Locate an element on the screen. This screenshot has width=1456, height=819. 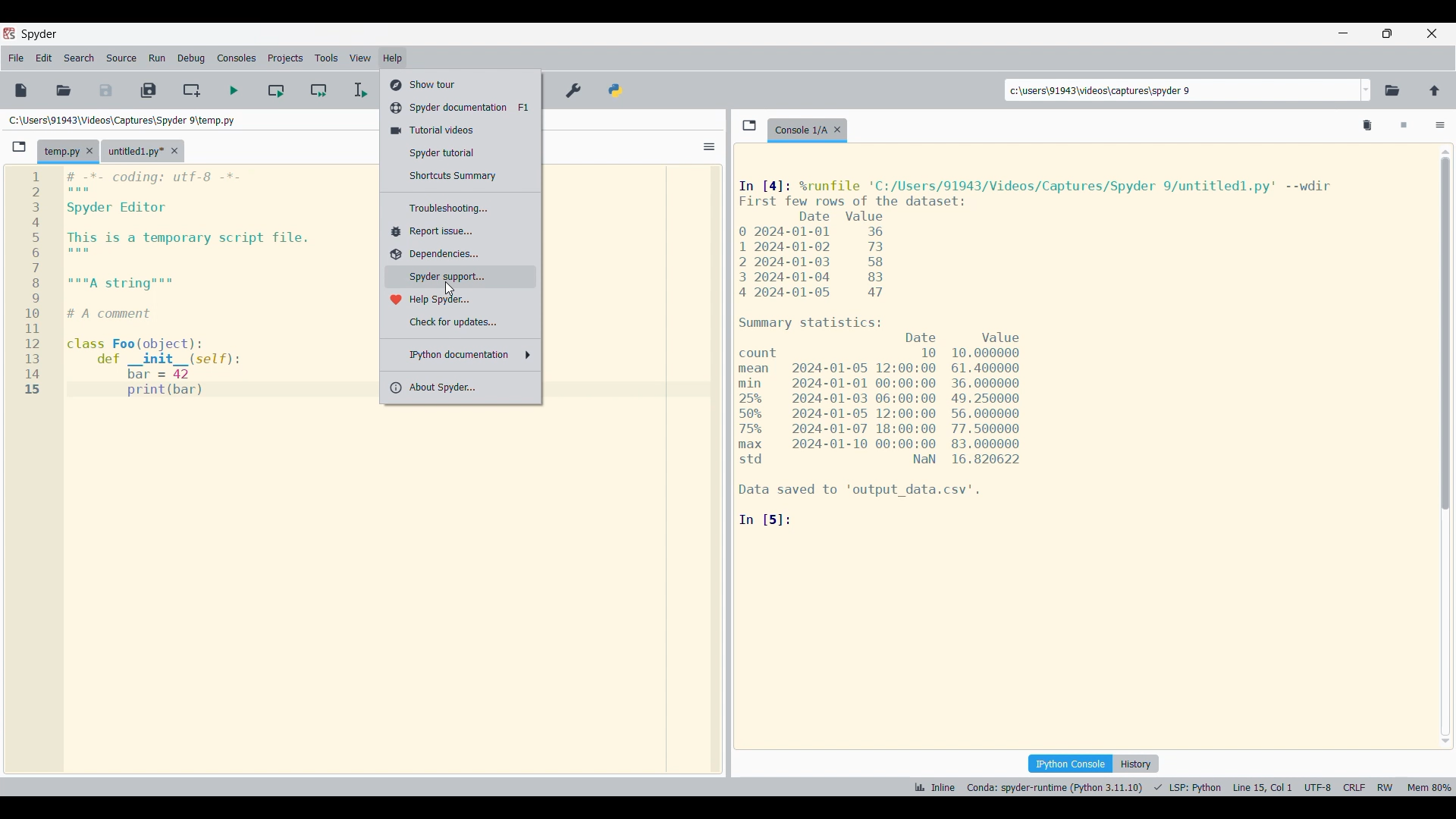
Run menu is located at coordinates (157, 58).